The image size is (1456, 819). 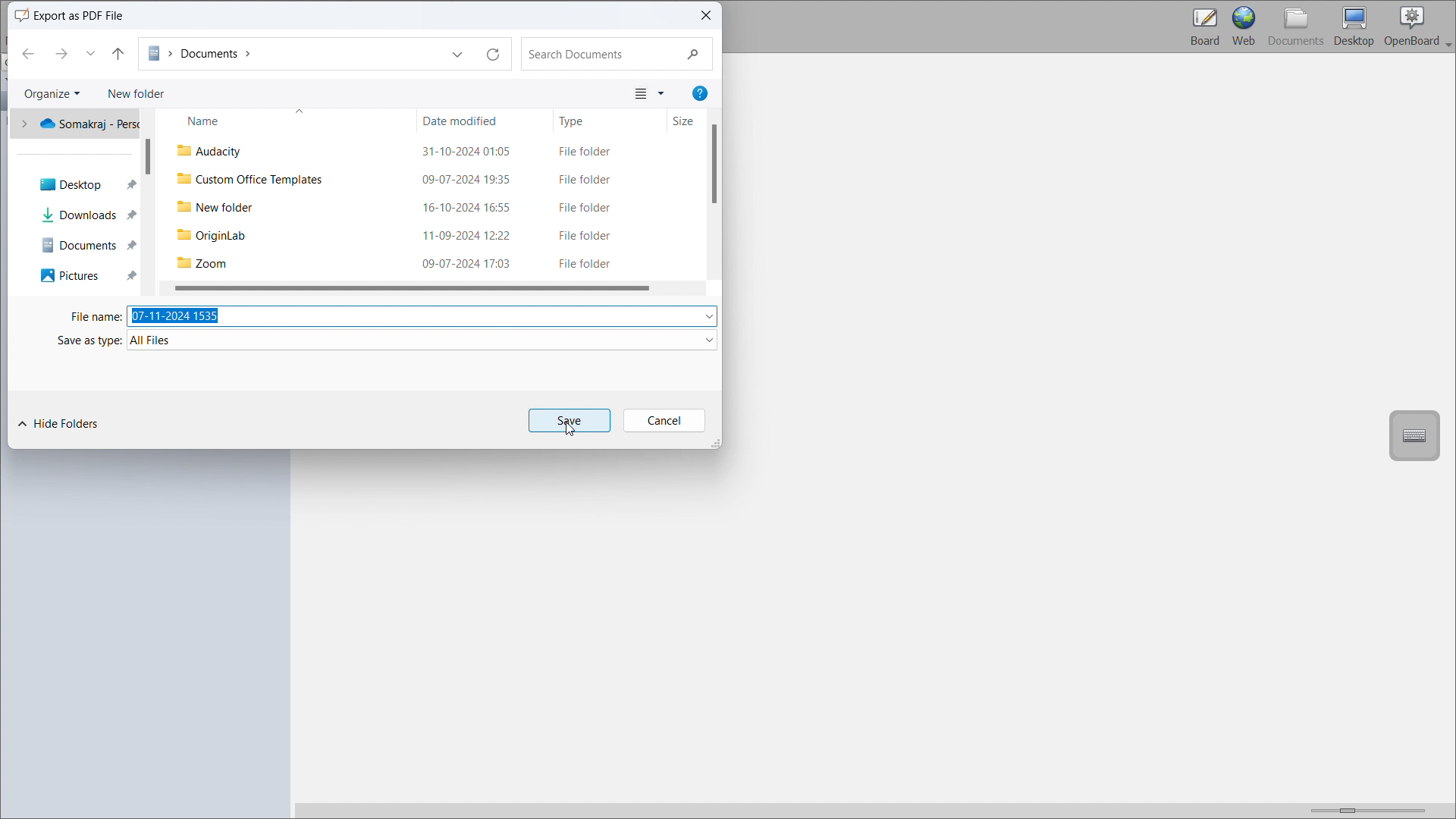 I want to click on sort by size, so click(x=687, y=121).